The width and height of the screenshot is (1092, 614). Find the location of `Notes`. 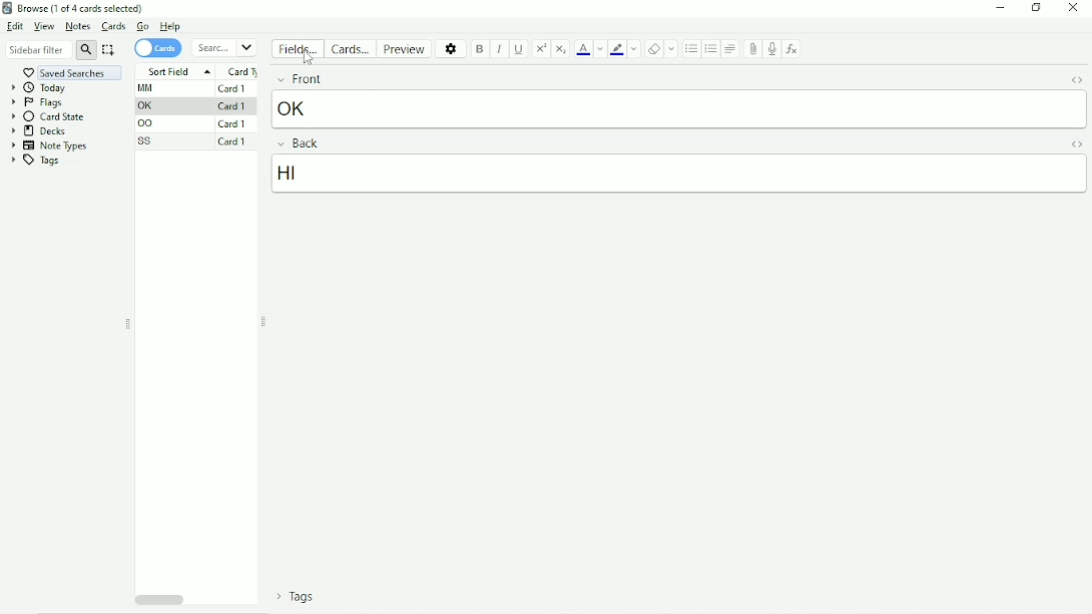

Notes is located at coordinates (77, 26).